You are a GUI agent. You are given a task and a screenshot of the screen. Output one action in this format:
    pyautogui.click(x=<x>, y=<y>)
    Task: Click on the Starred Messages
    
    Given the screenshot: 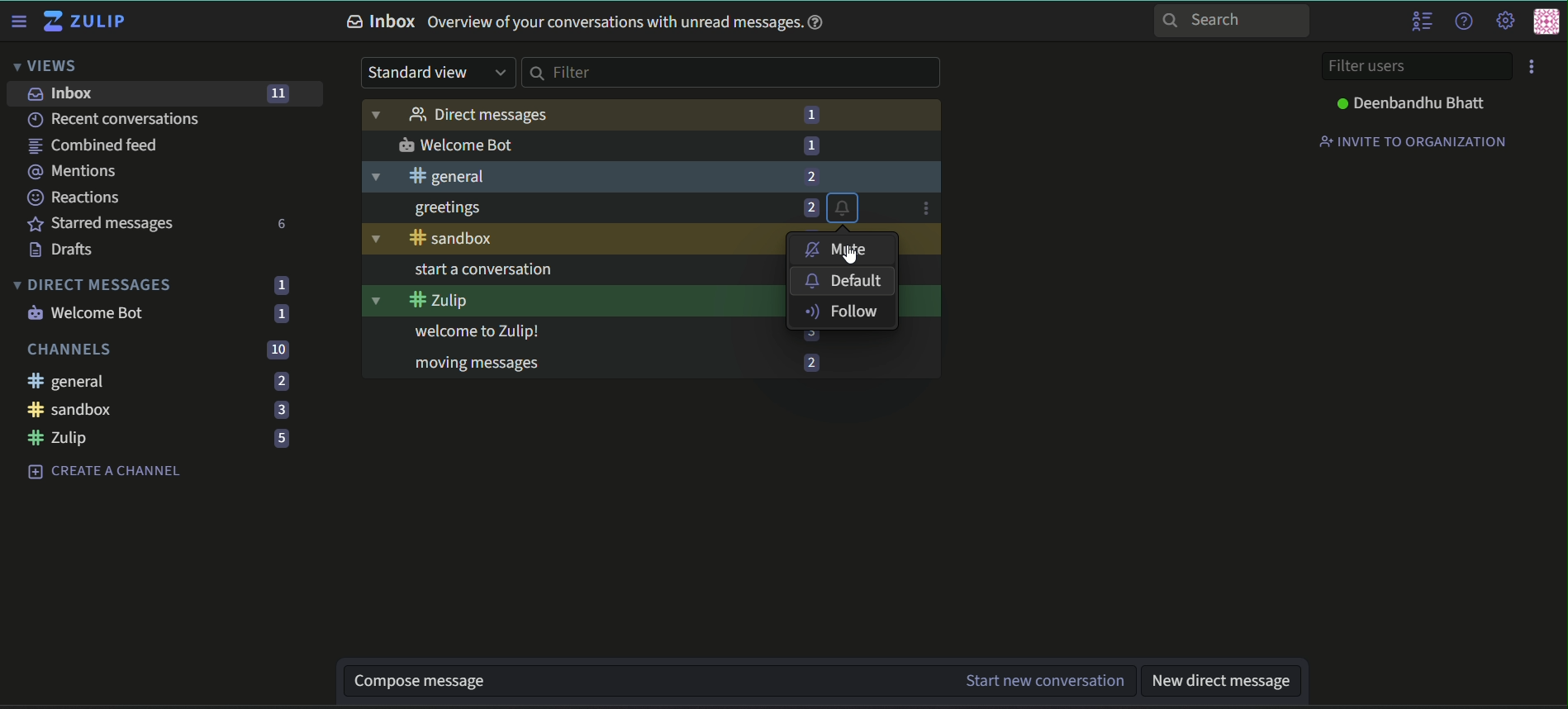 What is the action you would take?
    pyautogui.click(x=100, y=224)
    